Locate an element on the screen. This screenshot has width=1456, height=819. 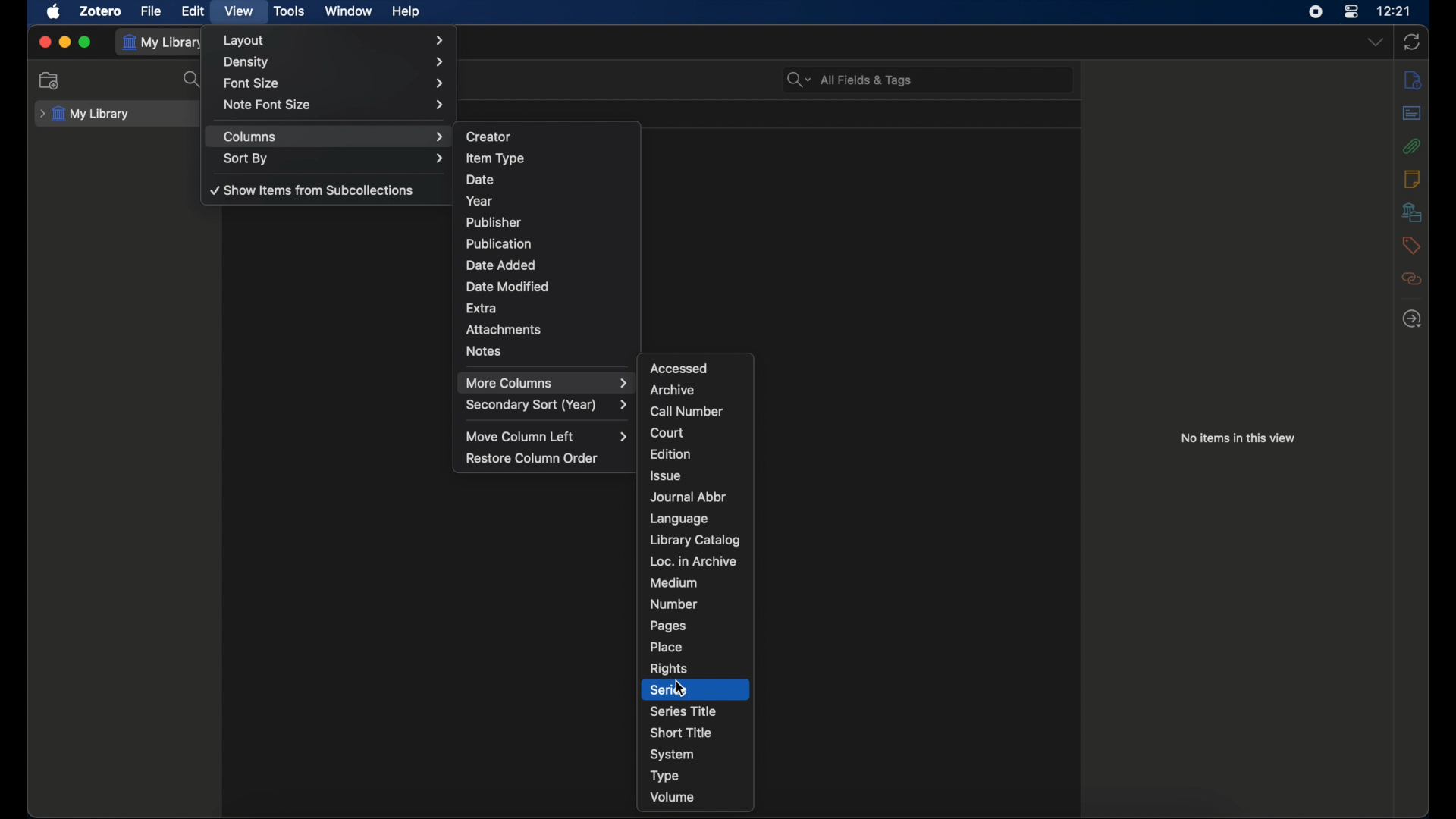
abstract is located at coordinates (1412, 113).